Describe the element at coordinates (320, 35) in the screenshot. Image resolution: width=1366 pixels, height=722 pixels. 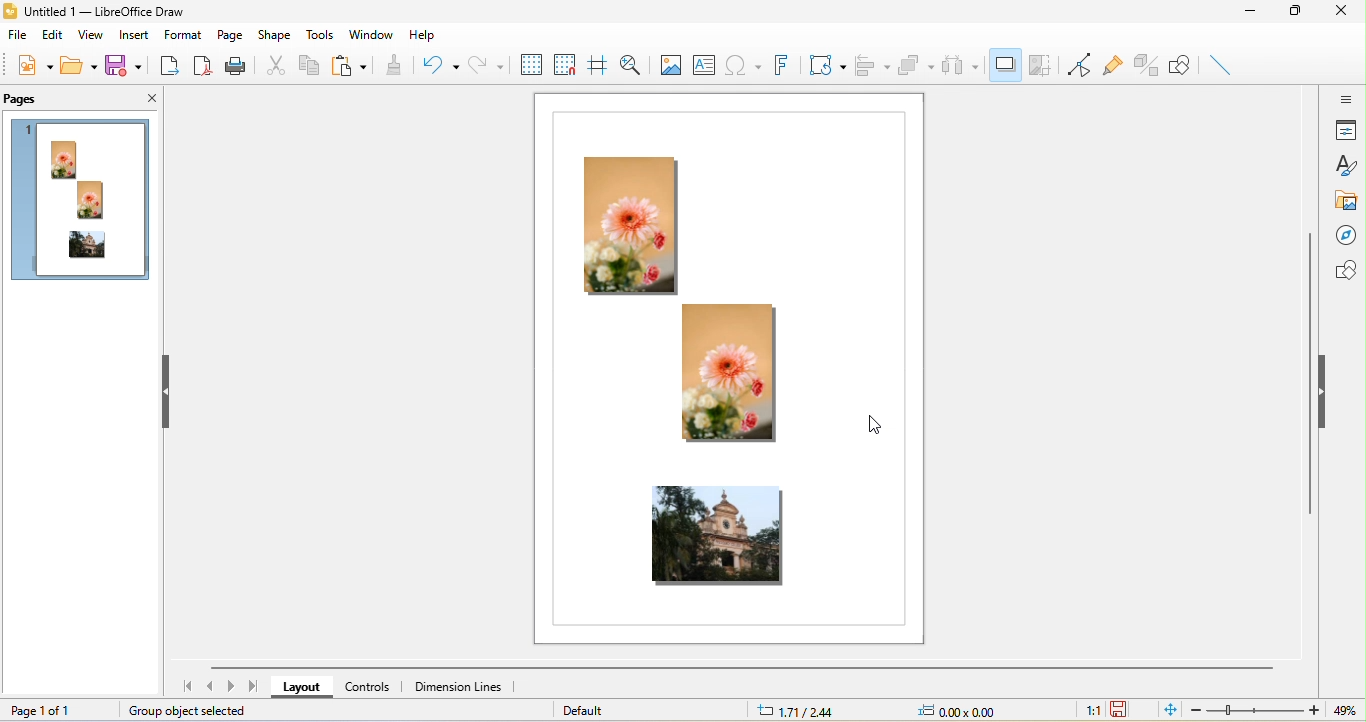
I see `tools` at that location.